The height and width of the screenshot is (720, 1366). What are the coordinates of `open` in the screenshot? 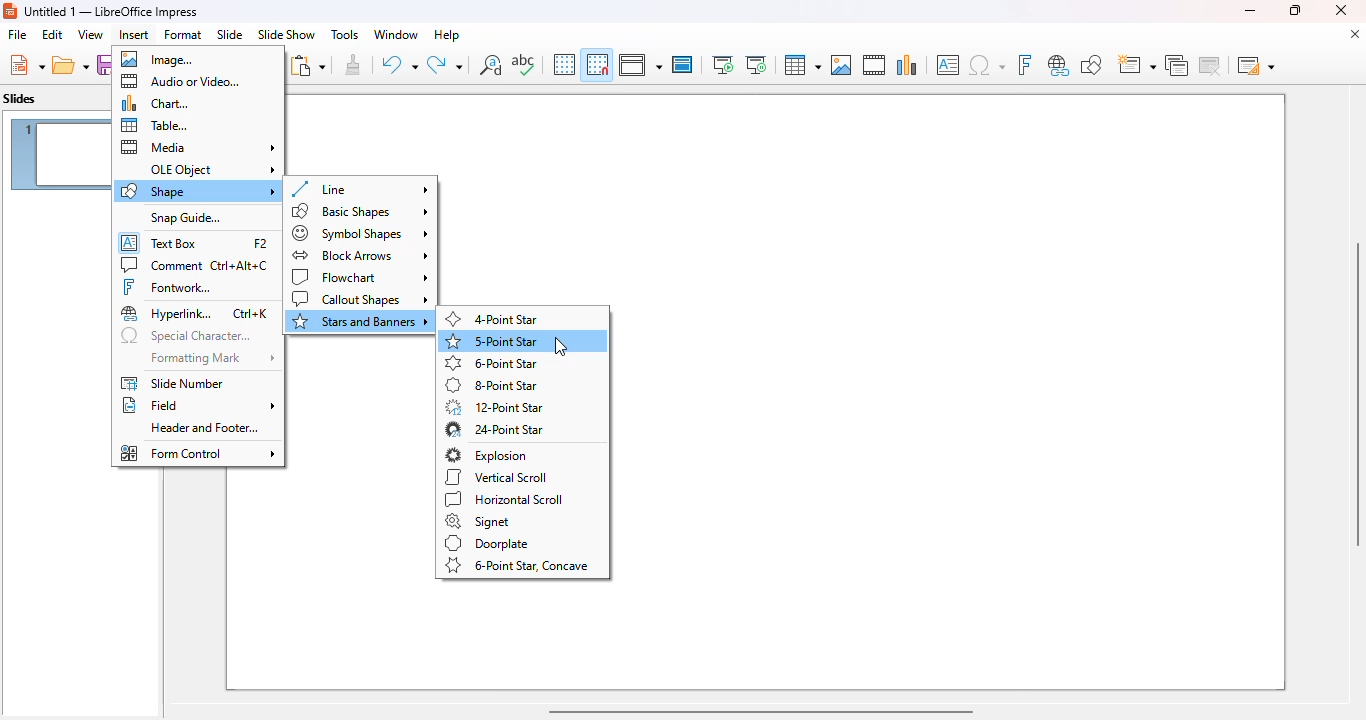 It's located at (71, 66).